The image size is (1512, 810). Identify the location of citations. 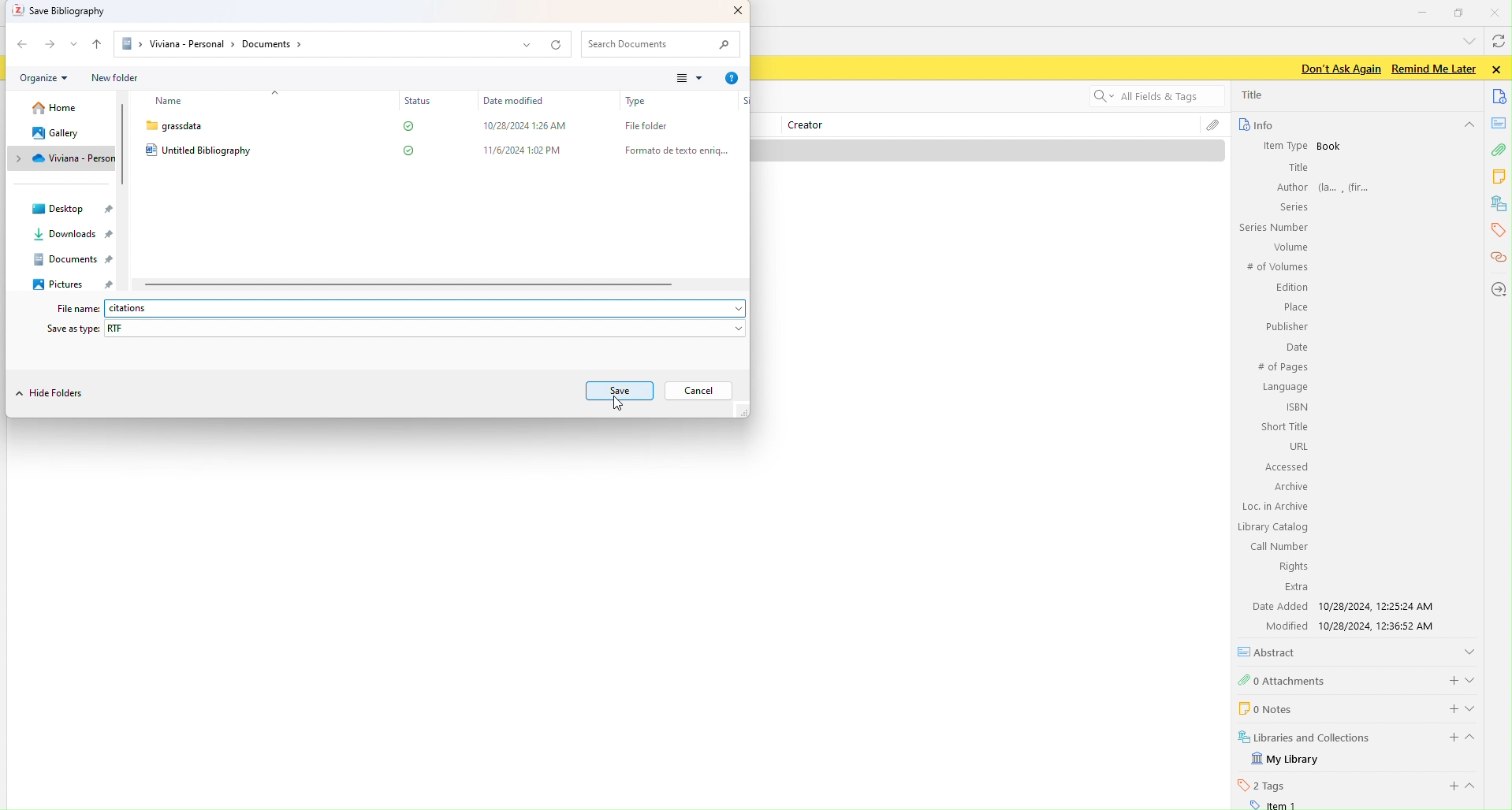
(1497, 258).